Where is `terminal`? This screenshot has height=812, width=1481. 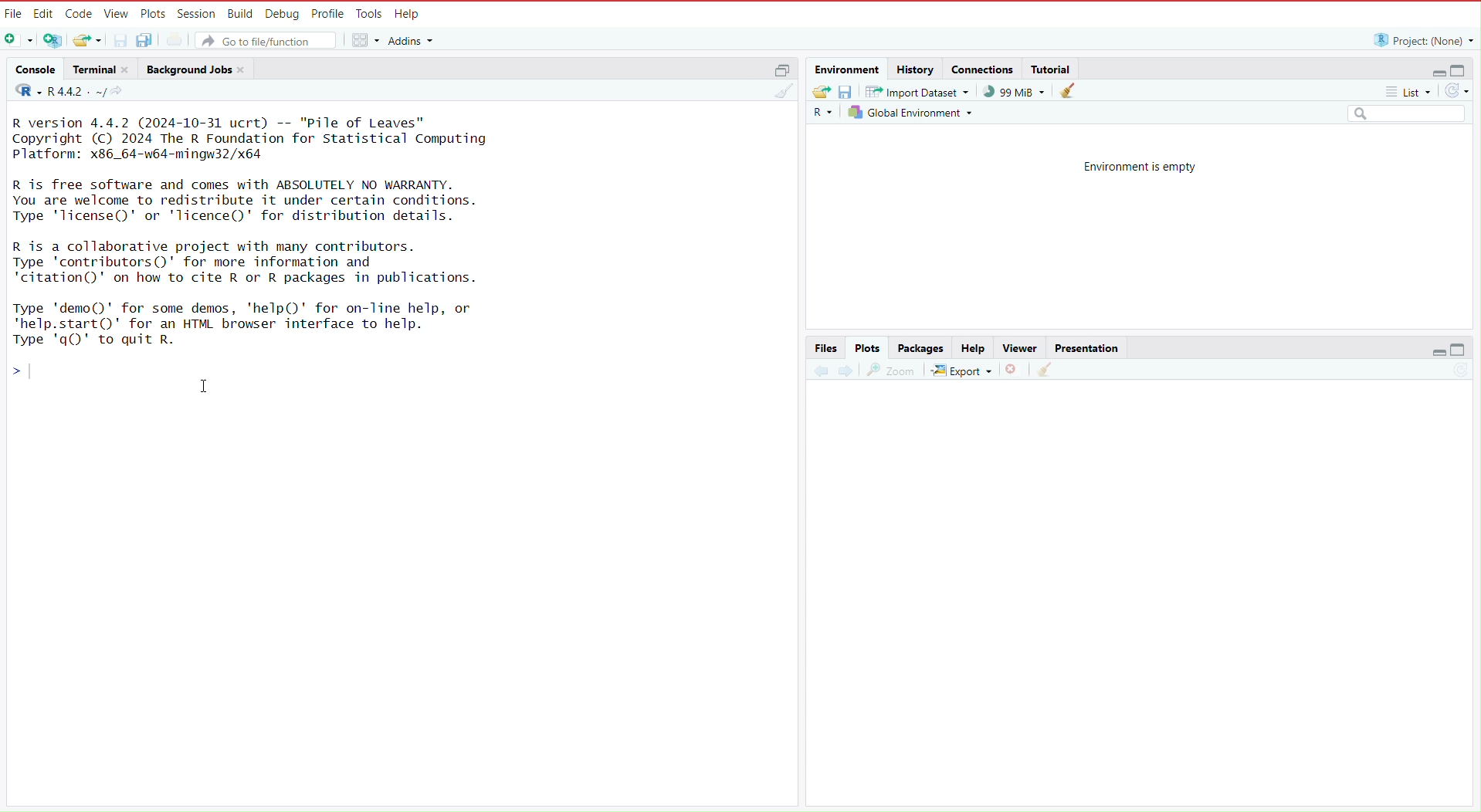 terminal is located at coordinates (91, 69).